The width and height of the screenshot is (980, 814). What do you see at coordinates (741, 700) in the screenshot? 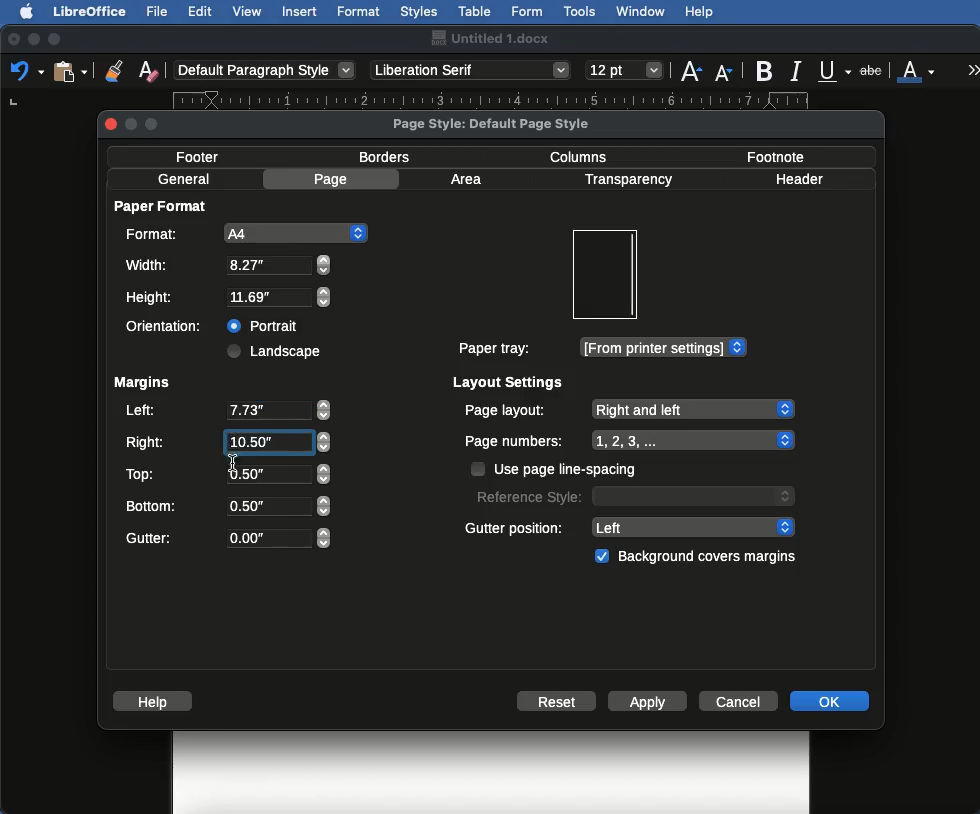
I see `Cancel` at bounding box center [741, 700].